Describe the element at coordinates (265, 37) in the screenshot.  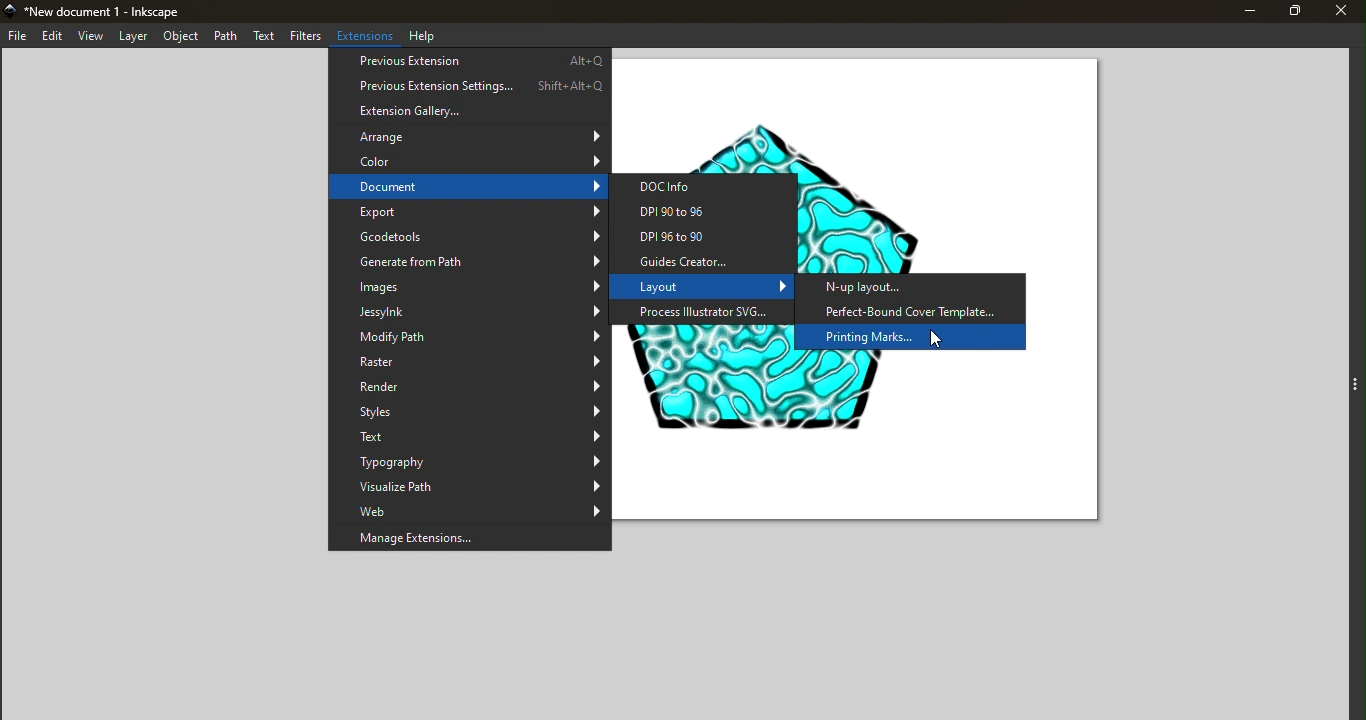
I see `Text` at that location.